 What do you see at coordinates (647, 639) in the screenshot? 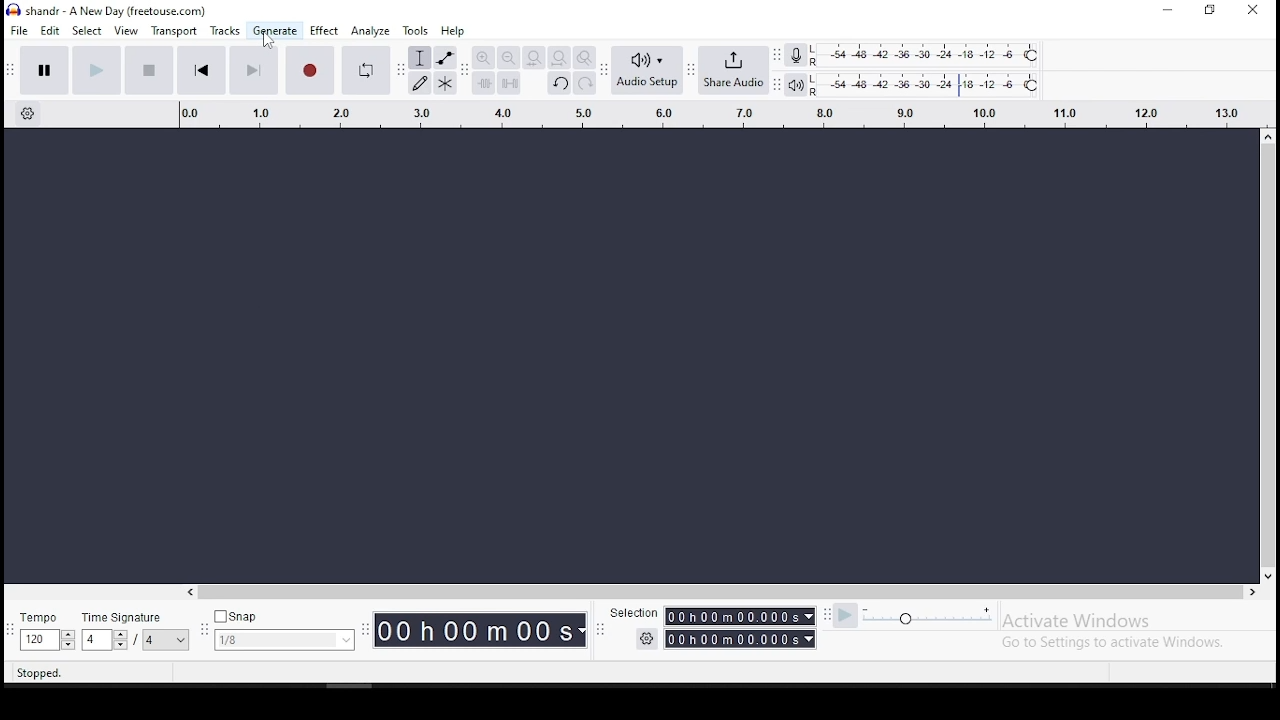
I see `settings` at bounding box center [647, 639].